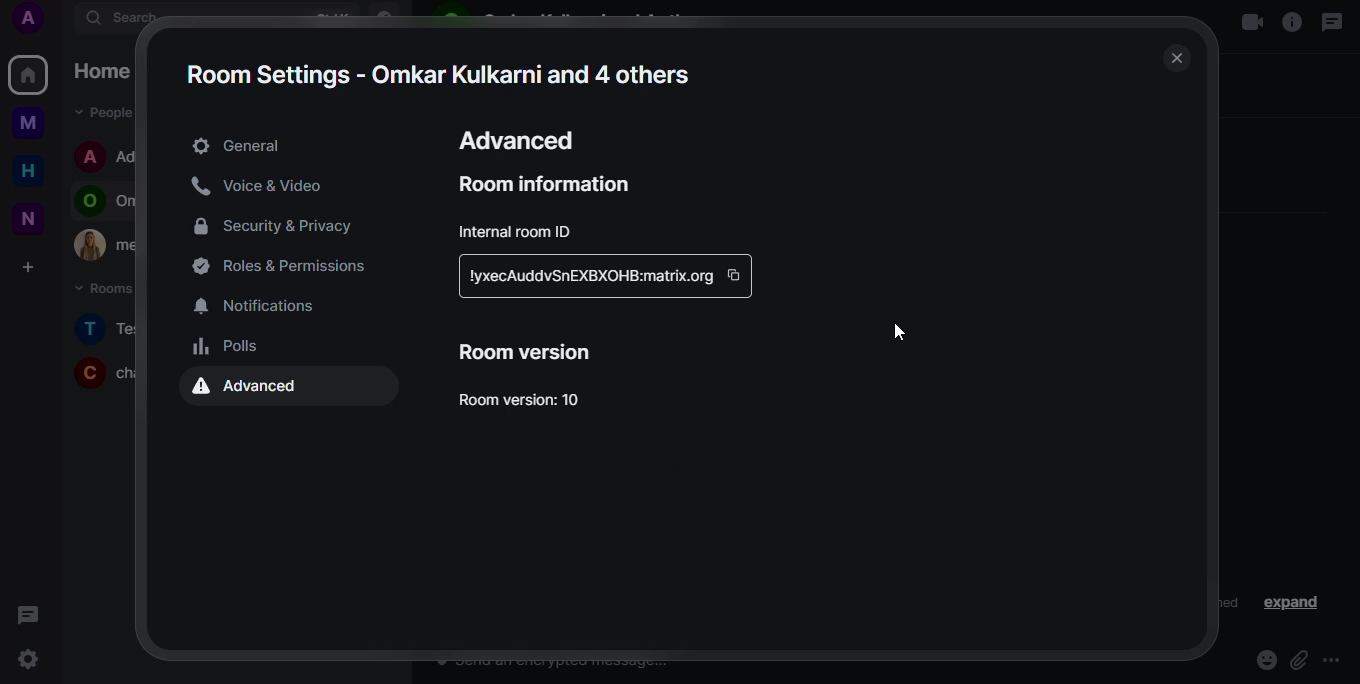 The width and height of the screenshot is (1360, 684). What do you see at coordinates (253, 146) in the screenshot?
I see `expand` at bounding box center [253, 146].